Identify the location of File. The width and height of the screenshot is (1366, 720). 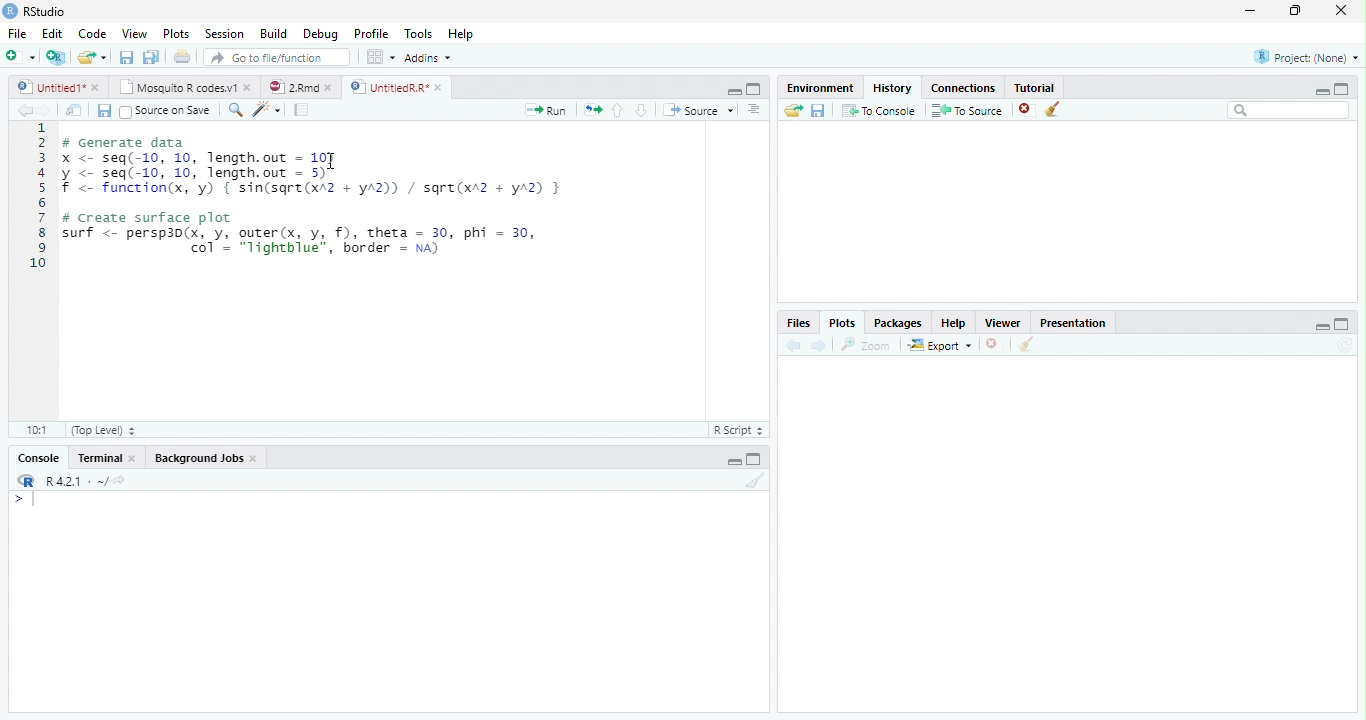
(17, 33).